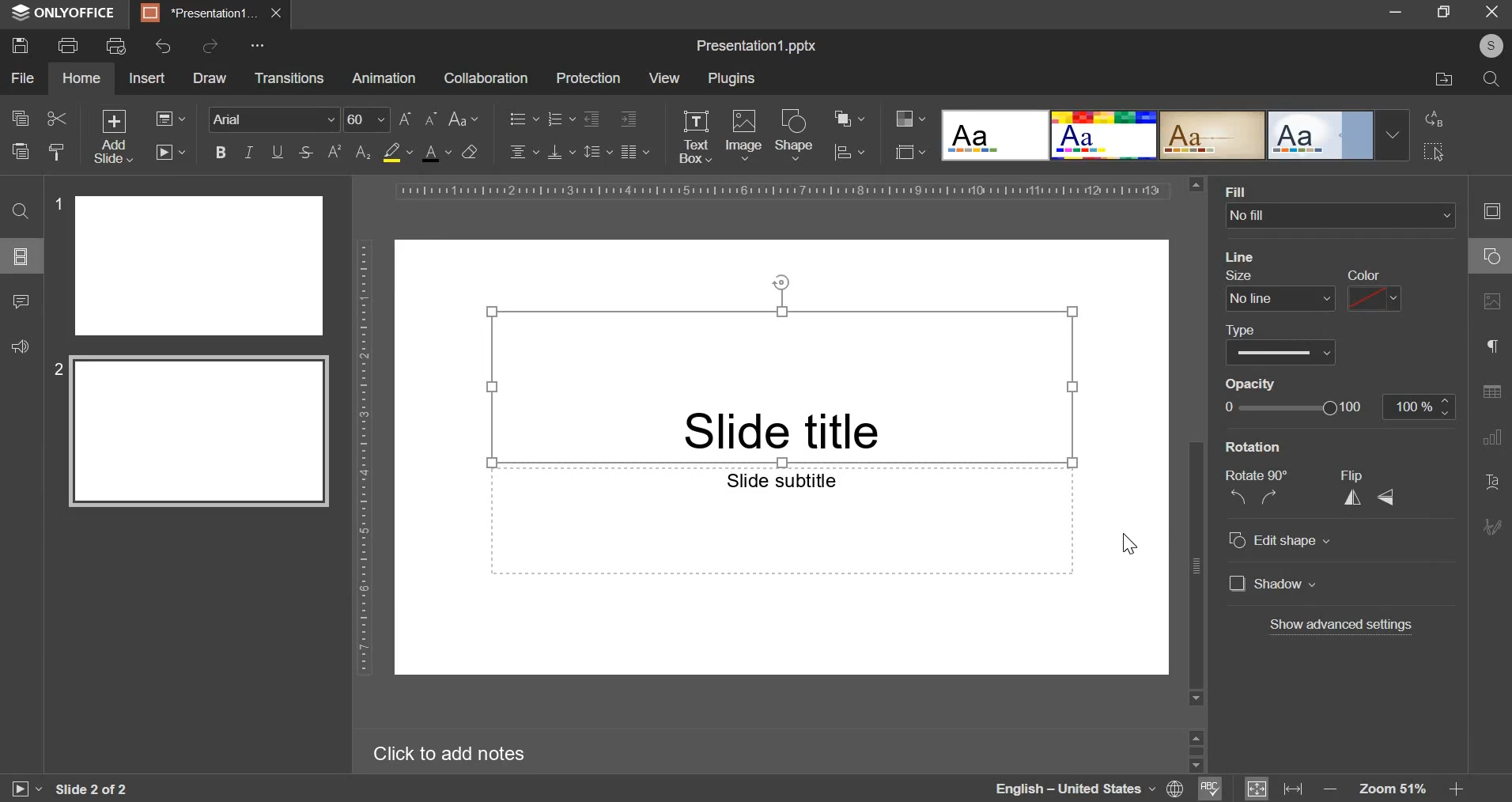 The image size is (1512, 802). What do you see at coordinates (17, 344) in the screenshot?
I see `feedback` at bounding box center [17, 344].